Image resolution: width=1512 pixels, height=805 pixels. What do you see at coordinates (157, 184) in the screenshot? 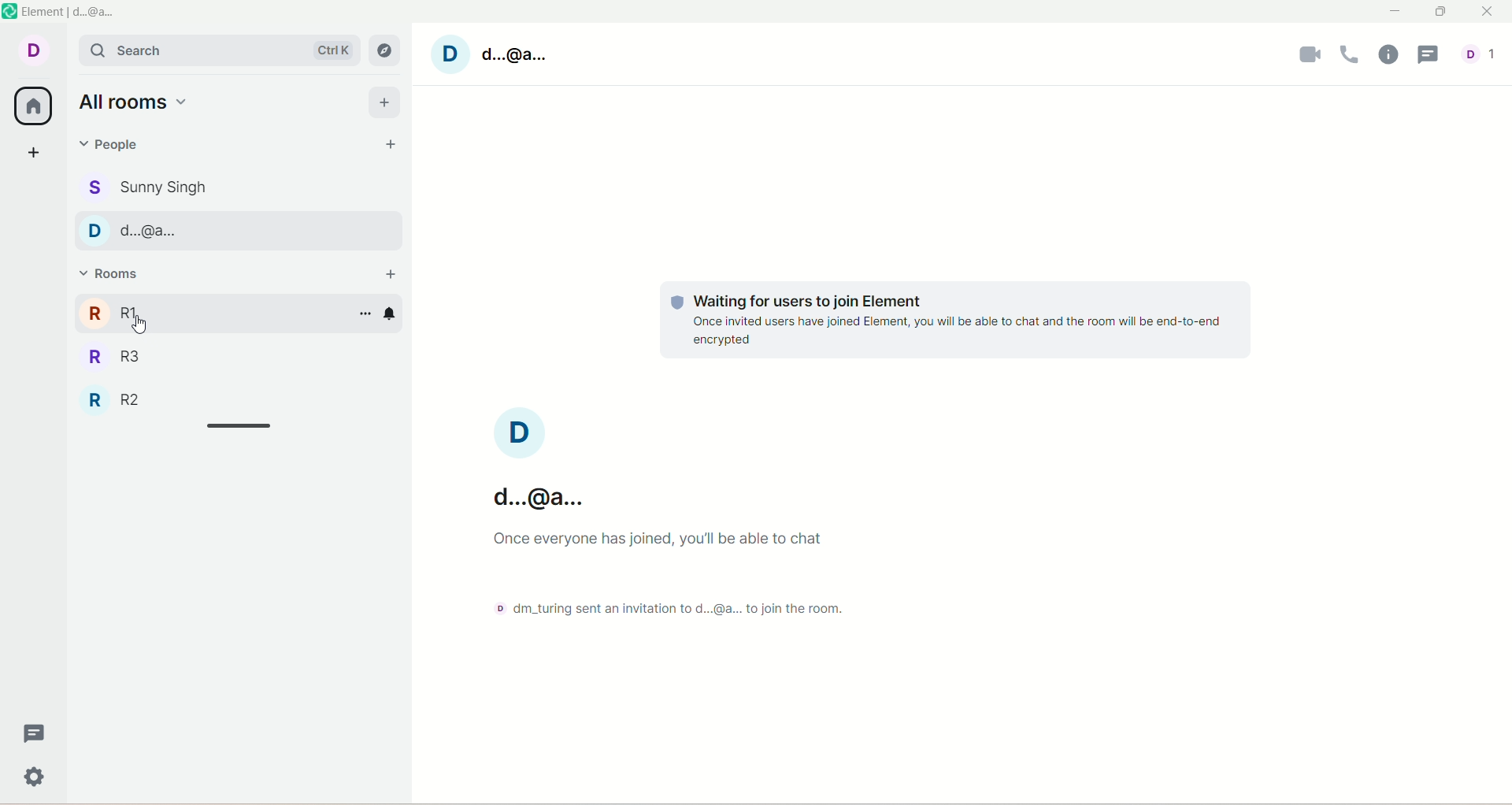
I see `people` at bounding box center [157, 184].